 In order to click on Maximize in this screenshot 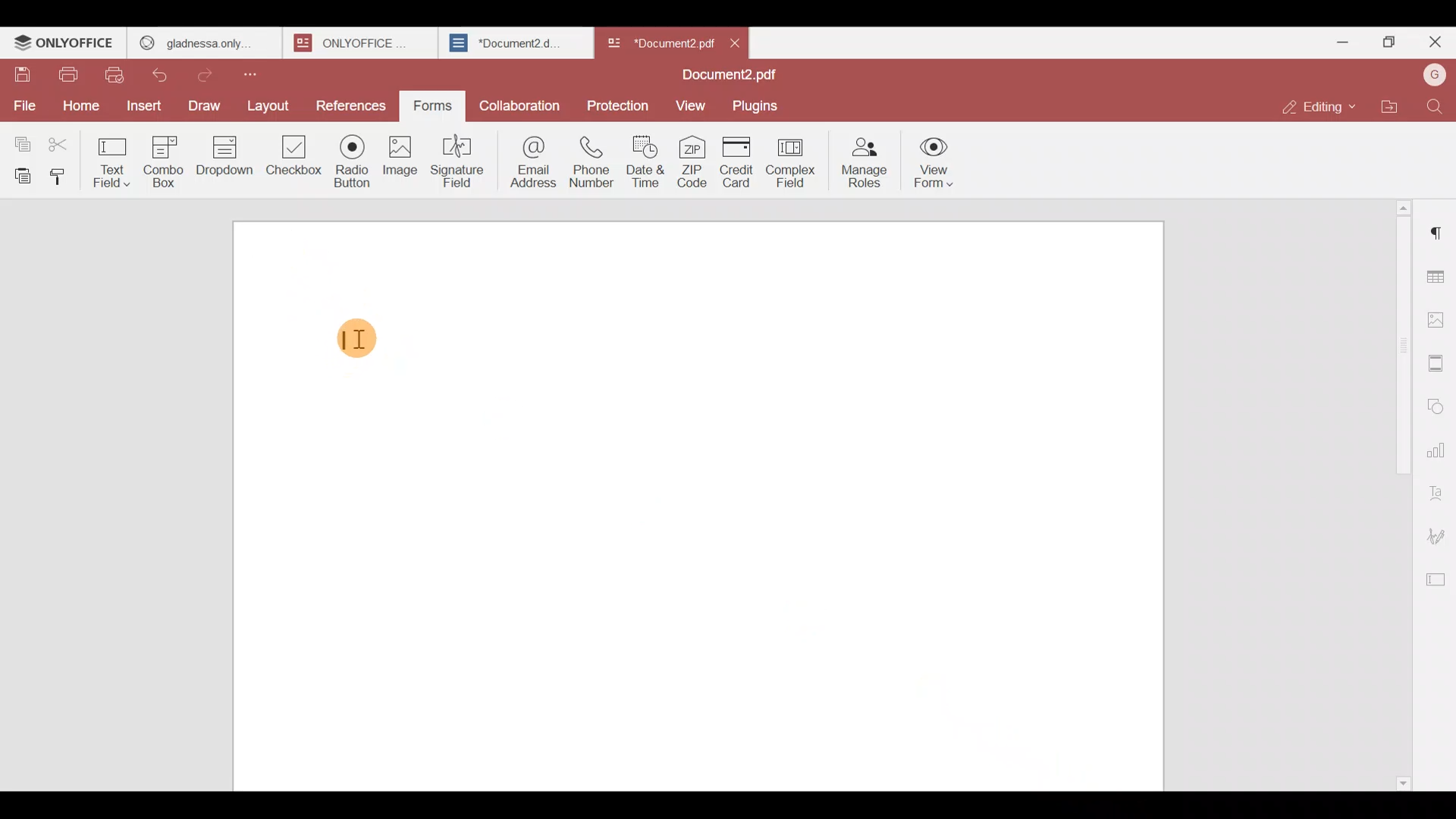, I will do `click(1392, 42)`.